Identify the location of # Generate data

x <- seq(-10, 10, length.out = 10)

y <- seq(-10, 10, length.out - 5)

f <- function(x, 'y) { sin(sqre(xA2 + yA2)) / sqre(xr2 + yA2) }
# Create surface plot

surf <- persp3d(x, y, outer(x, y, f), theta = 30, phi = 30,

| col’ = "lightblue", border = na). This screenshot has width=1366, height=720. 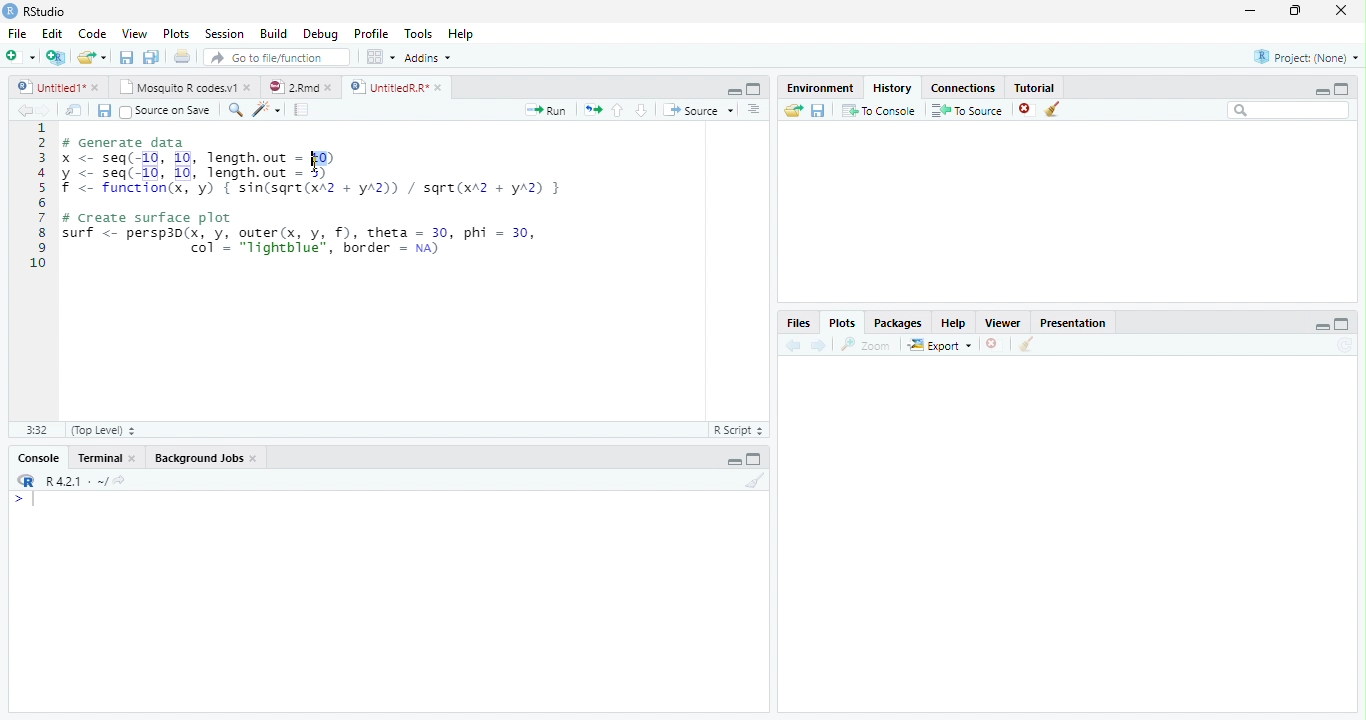
(317, 204).